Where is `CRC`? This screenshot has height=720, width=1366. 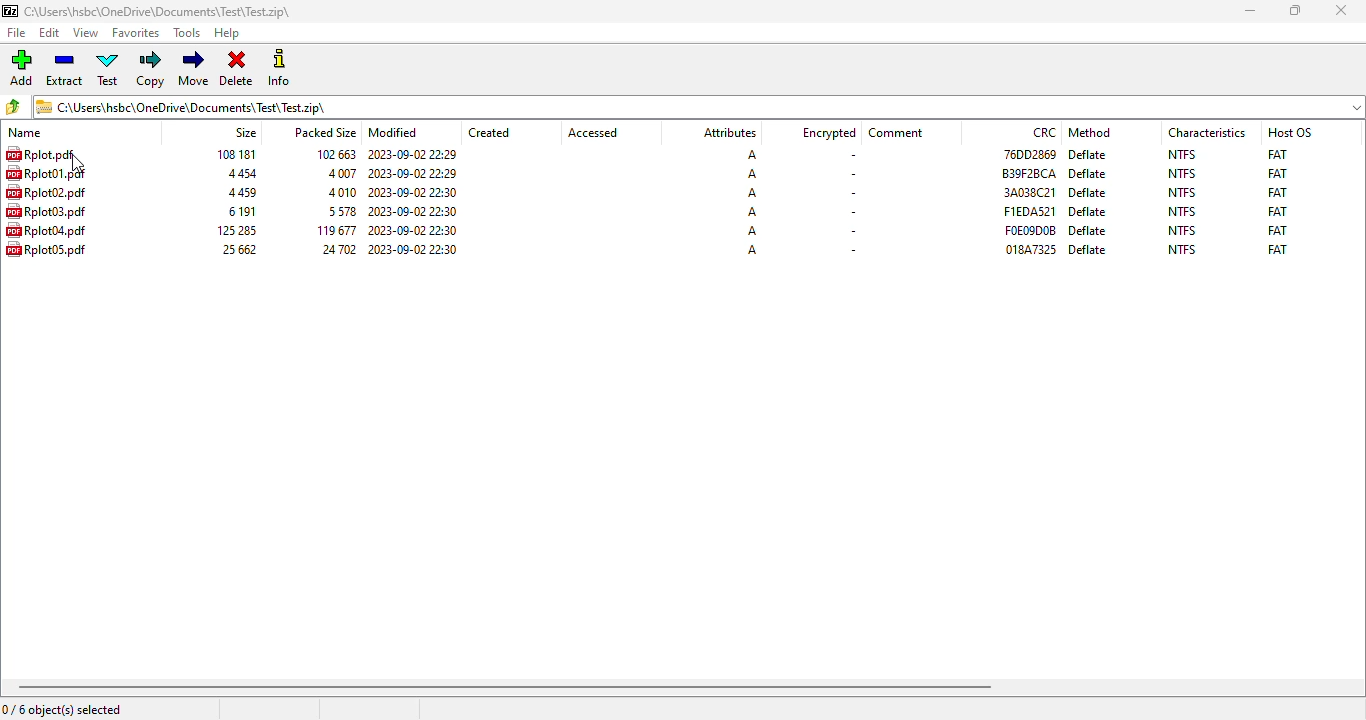 CRC is located at coordinates (1031, 249).